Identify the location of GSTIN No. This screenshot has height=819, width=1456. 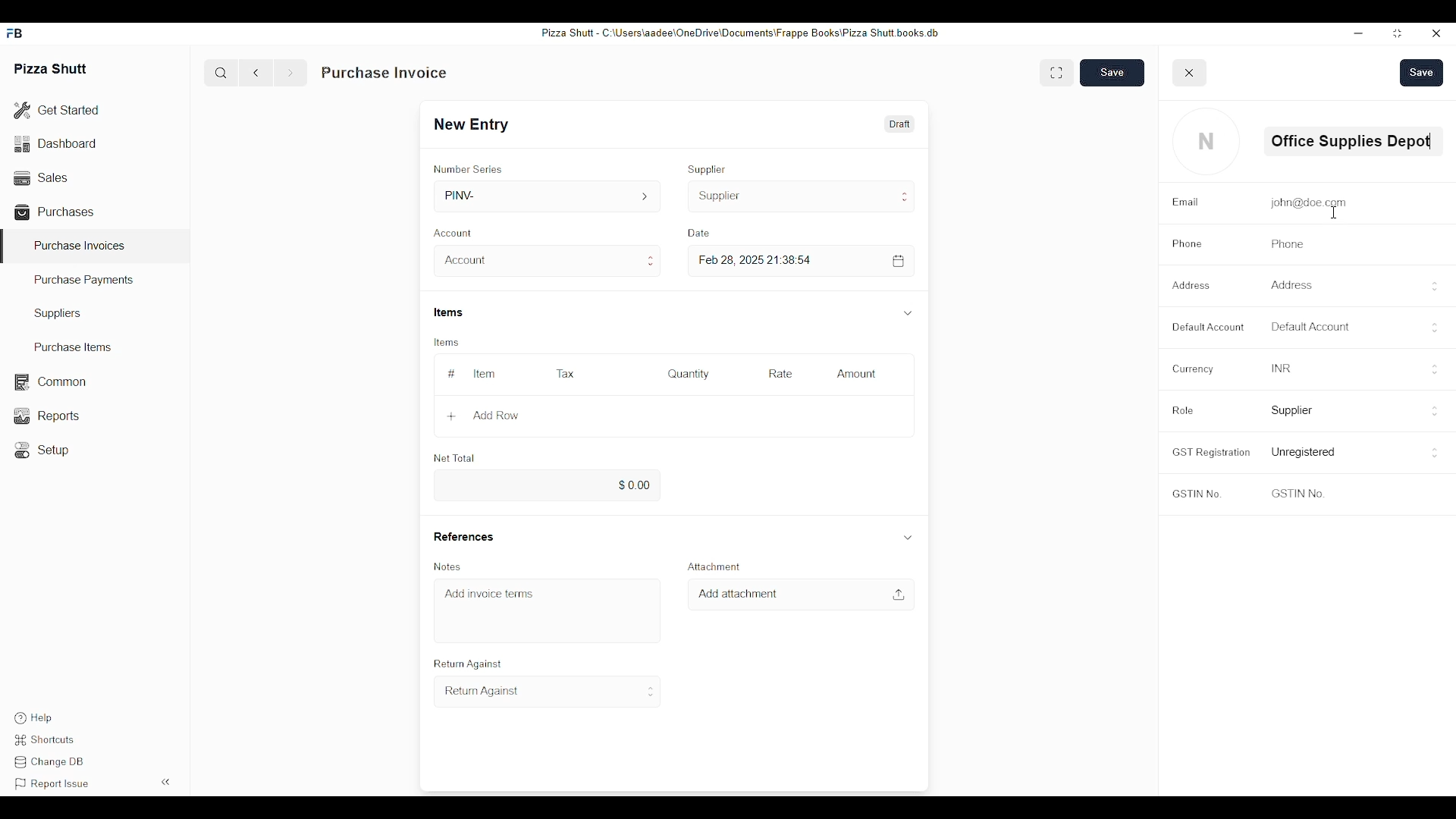
(1296, 493).